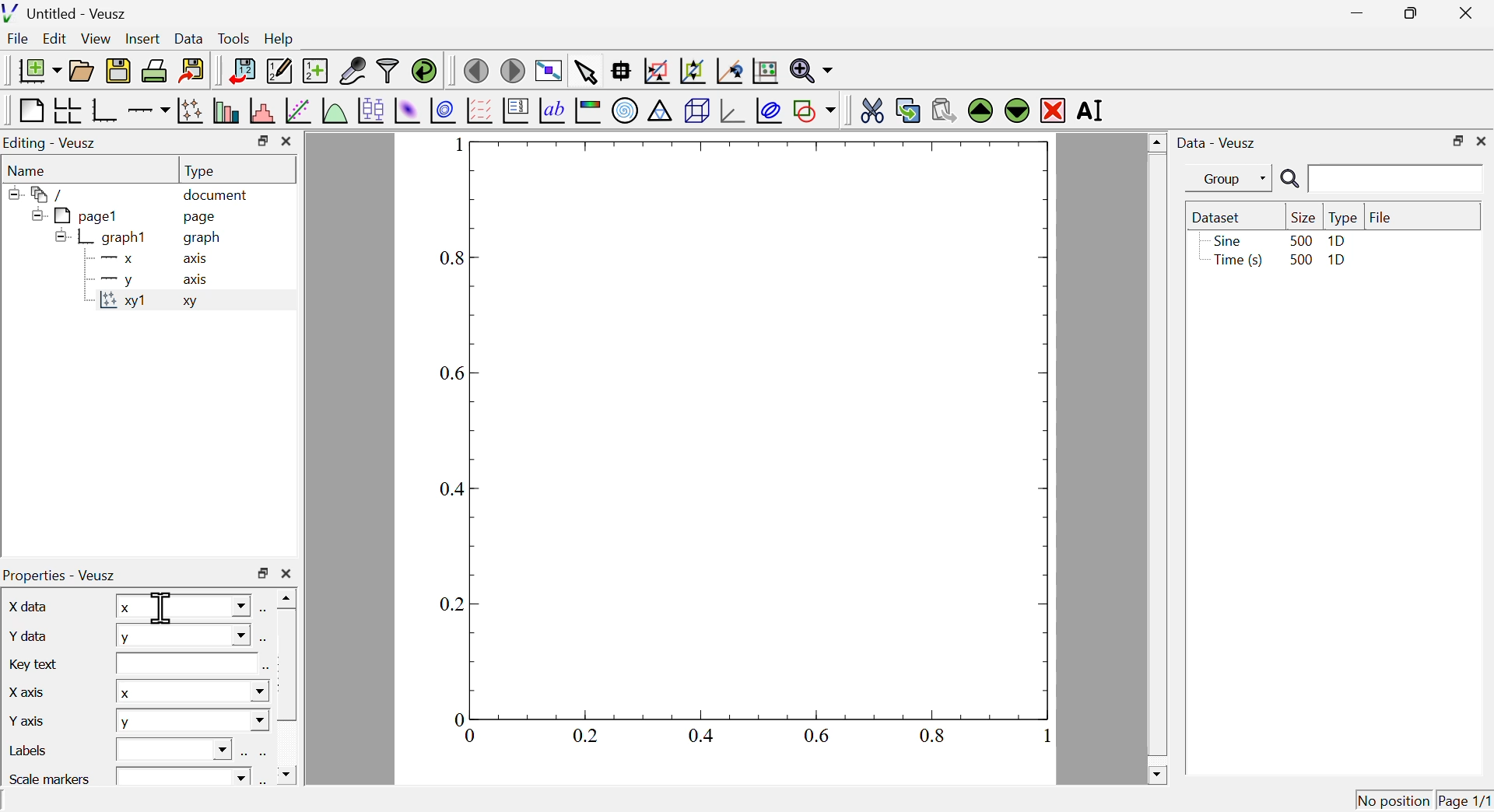  Describe the element at coordinates (183, 638) in the screenshot. I see `y` at that location.